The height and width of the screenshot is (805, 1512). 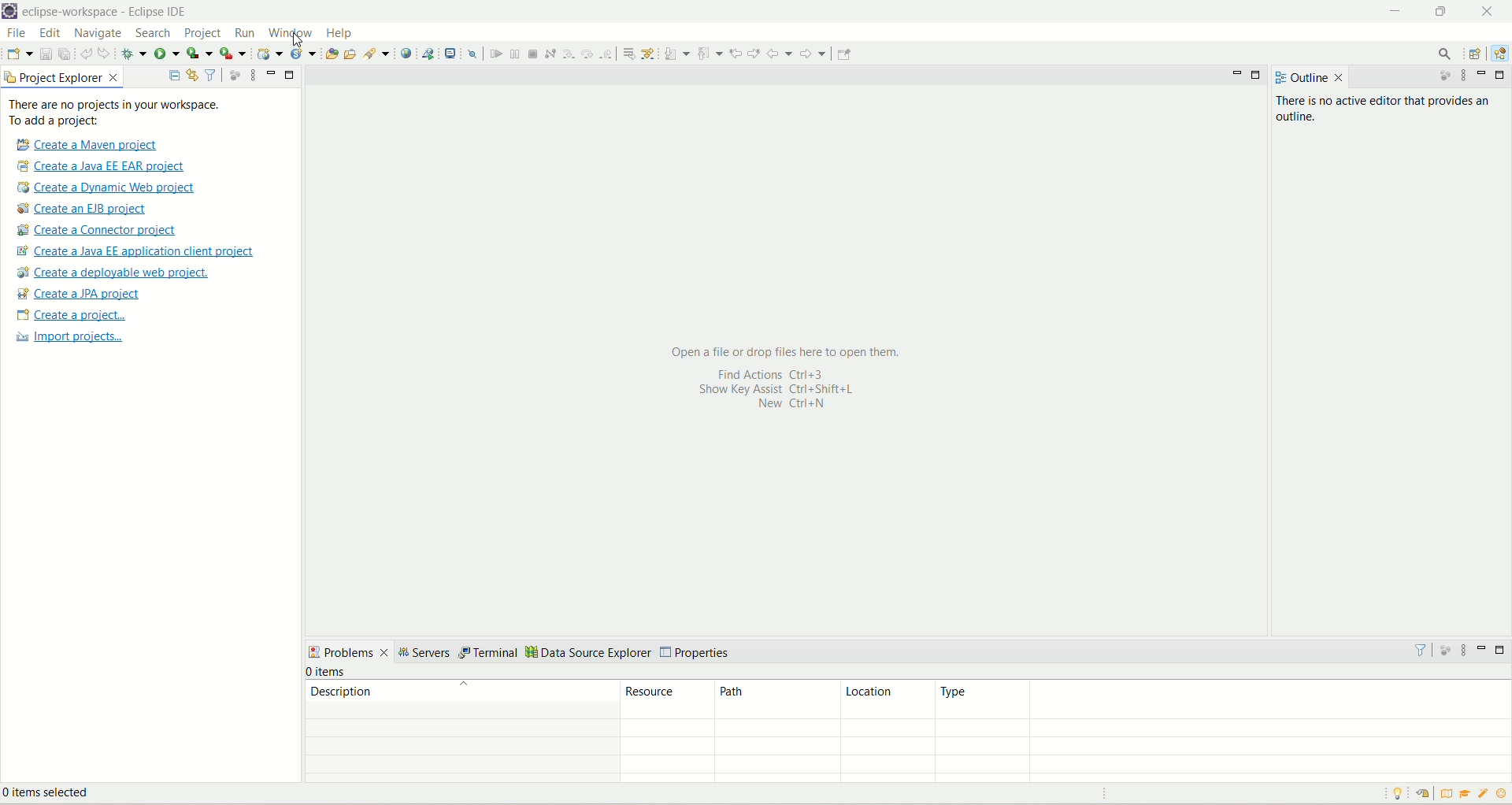 I want to click on Java EE, so click(x=1498, y=56).